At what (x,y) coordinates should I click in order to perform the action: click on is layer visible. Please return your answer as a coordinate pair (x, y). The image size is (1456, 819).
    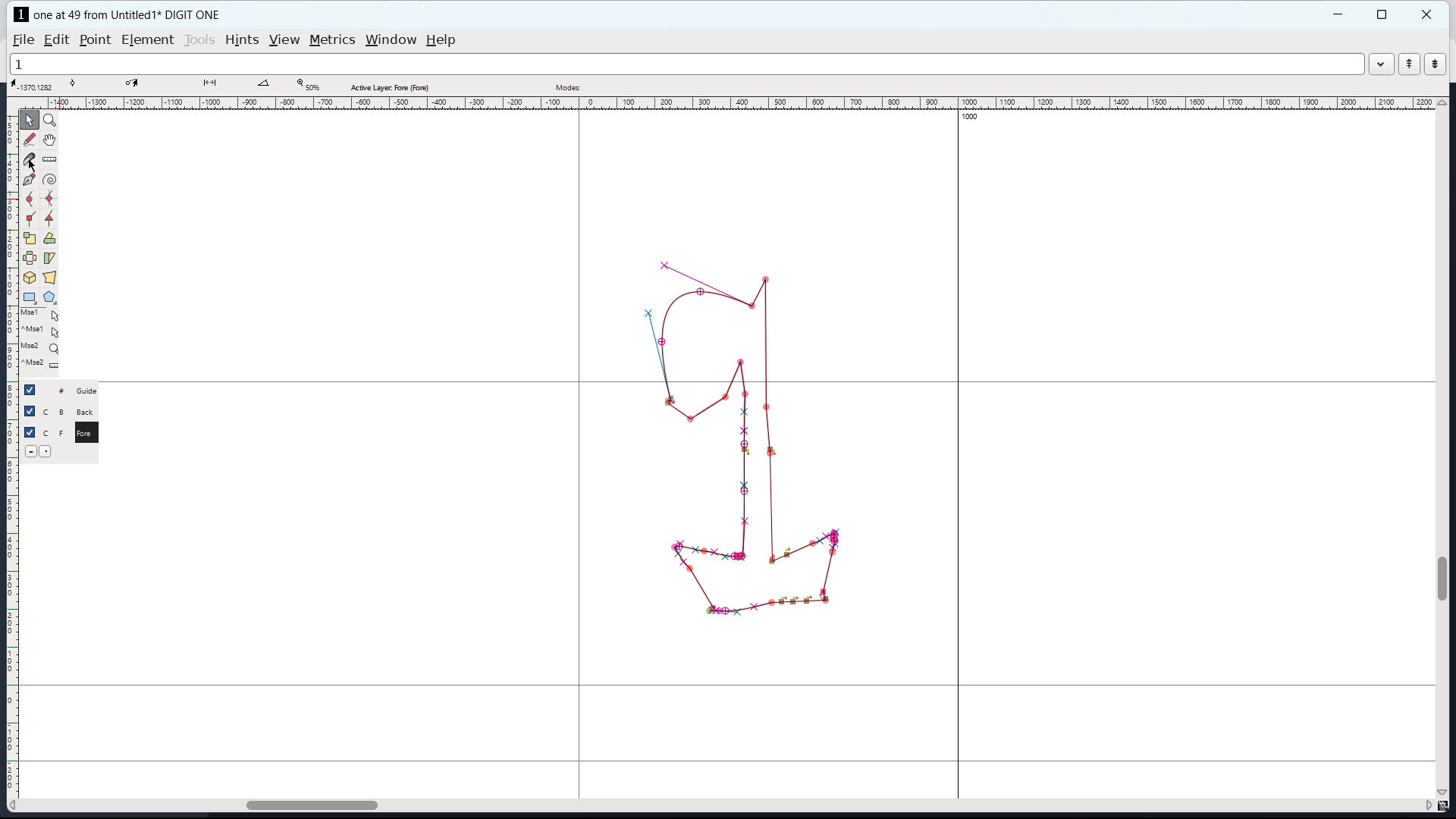
    Looking at the image, I should click on (30, 432).